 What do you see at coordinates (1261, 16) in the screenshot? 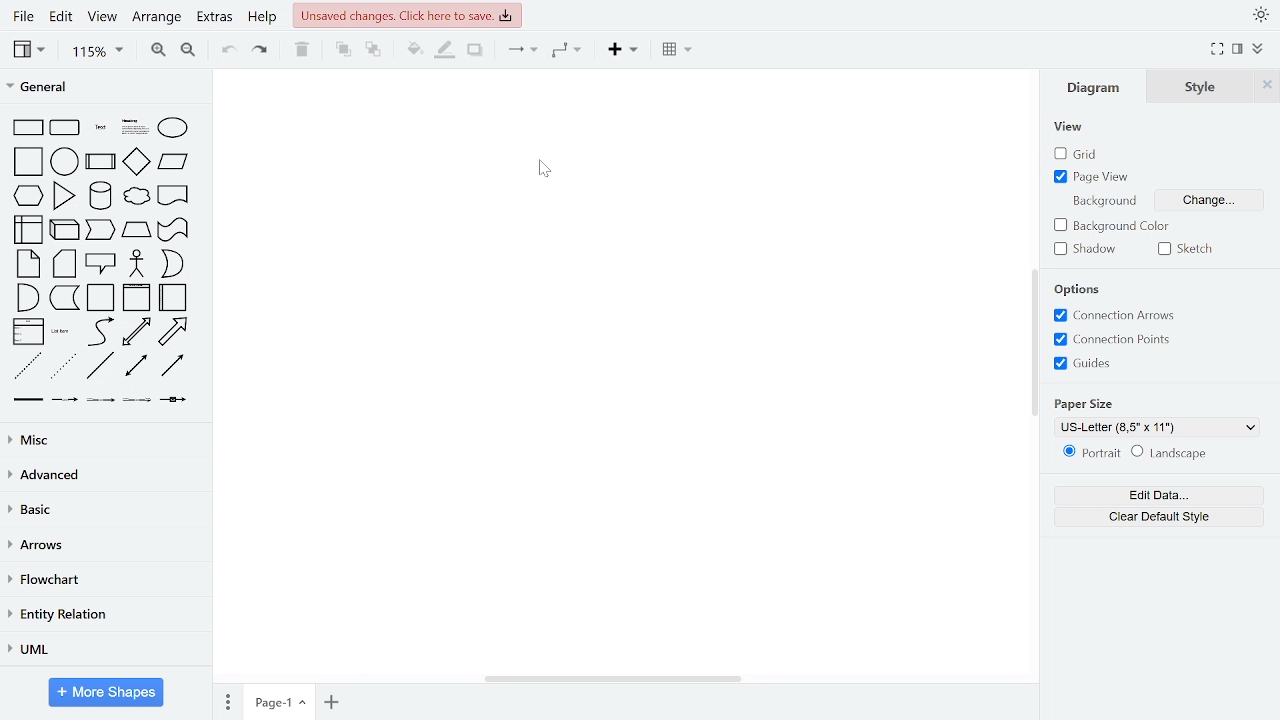
I see `appearence` at bounding box center [1261, 16].